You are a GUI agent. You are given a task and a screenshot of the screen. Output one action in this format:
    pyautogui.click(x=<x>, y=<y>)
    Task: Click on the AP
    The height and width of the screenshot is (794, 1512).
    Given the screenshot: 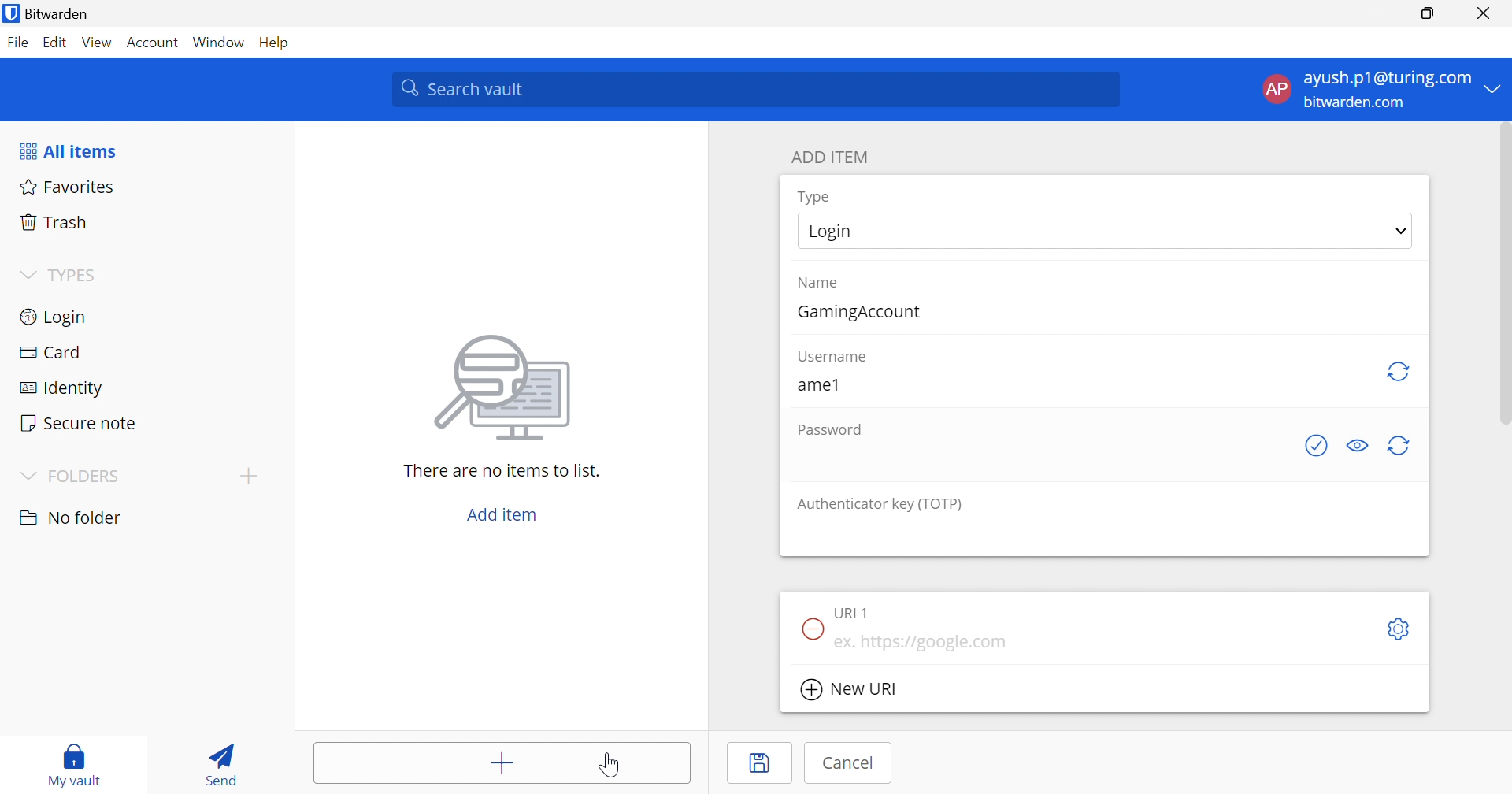 What is the action you would take?
    pyautogui.click(x=1277, y=88)
    